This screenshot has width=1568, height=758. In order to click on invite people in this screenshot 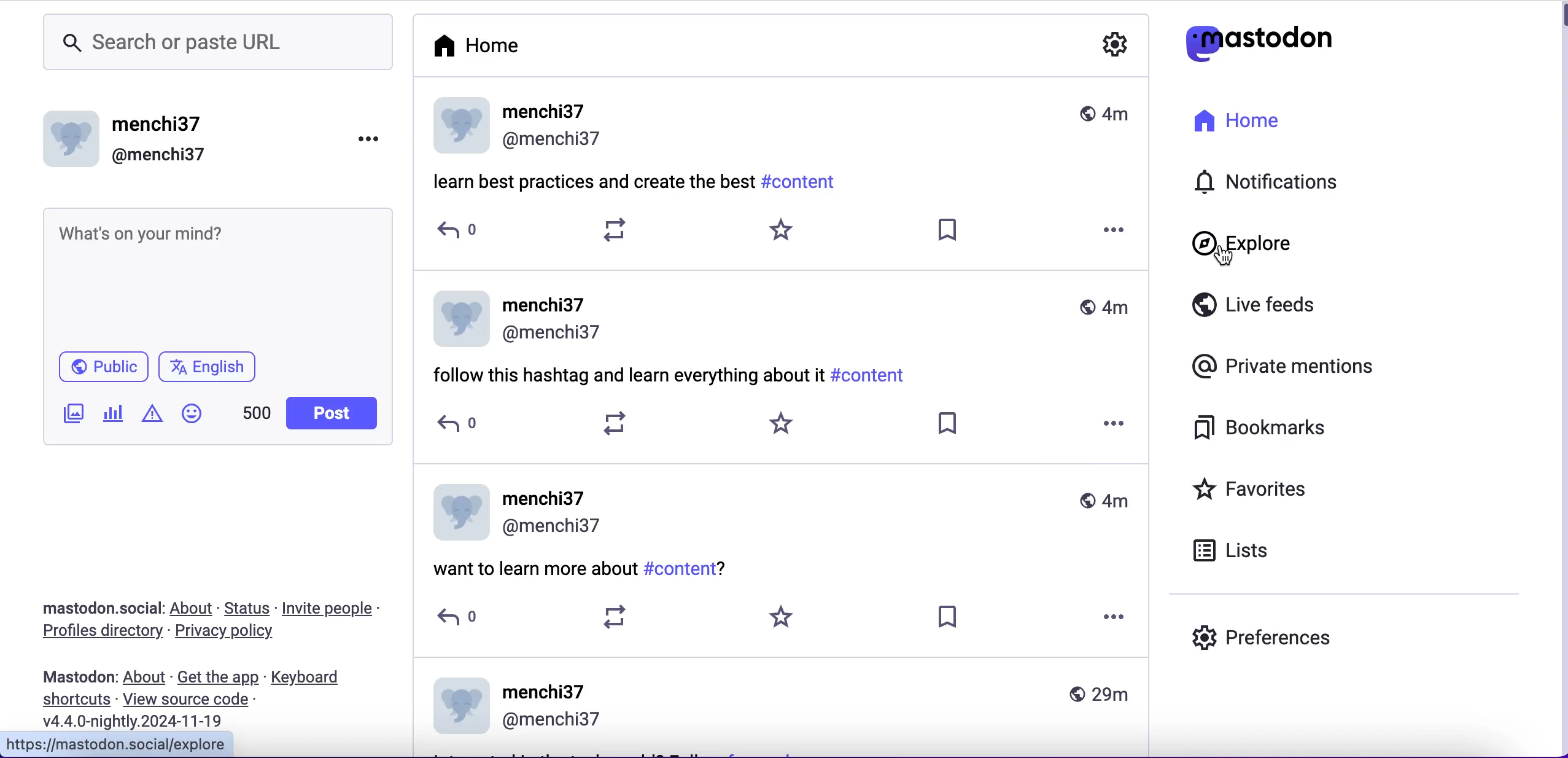, I will do `click(336, 610)`.